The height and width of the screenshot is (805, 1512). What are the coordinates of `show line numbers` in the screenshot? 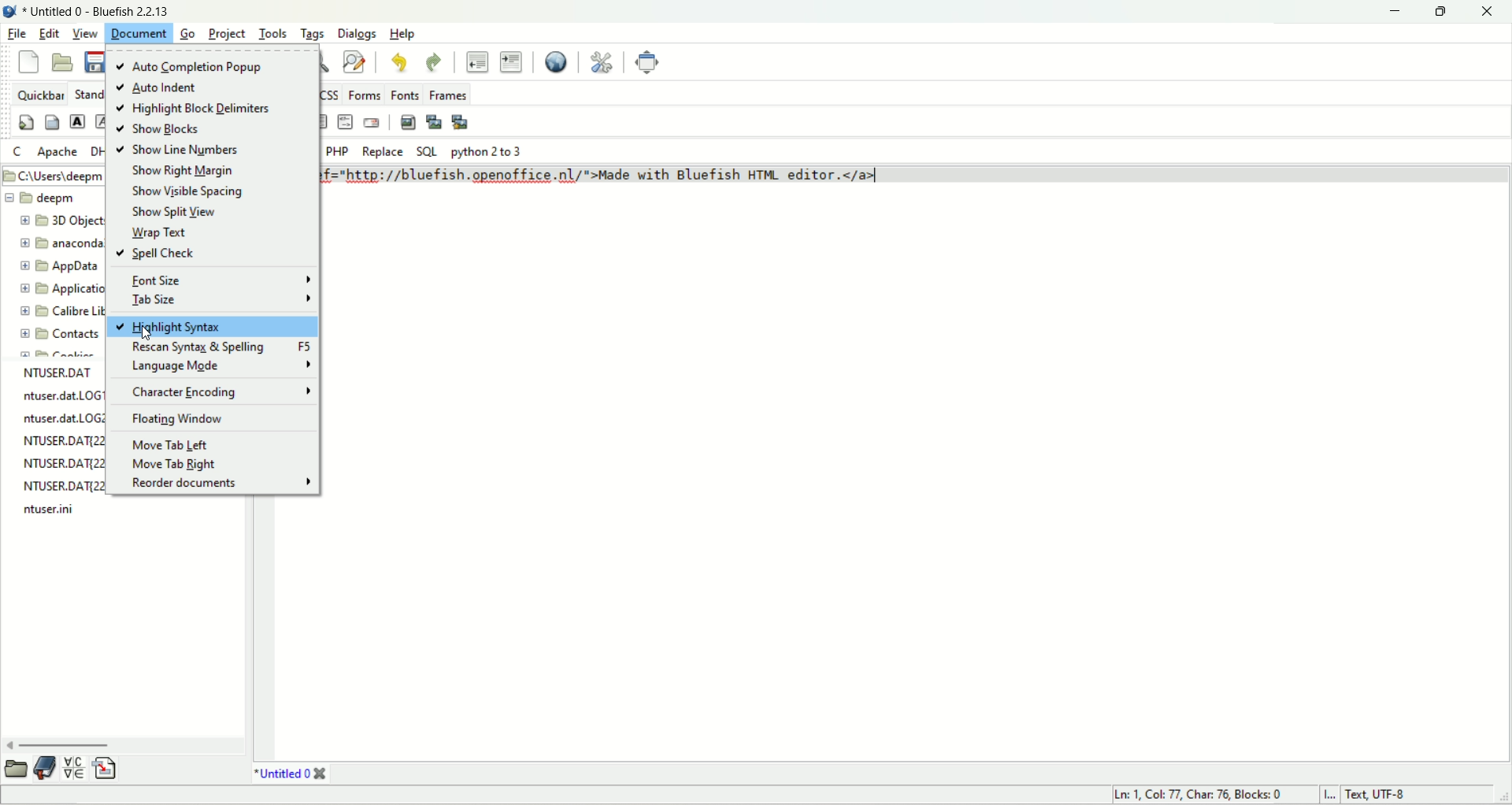 It's located at (178, 151).